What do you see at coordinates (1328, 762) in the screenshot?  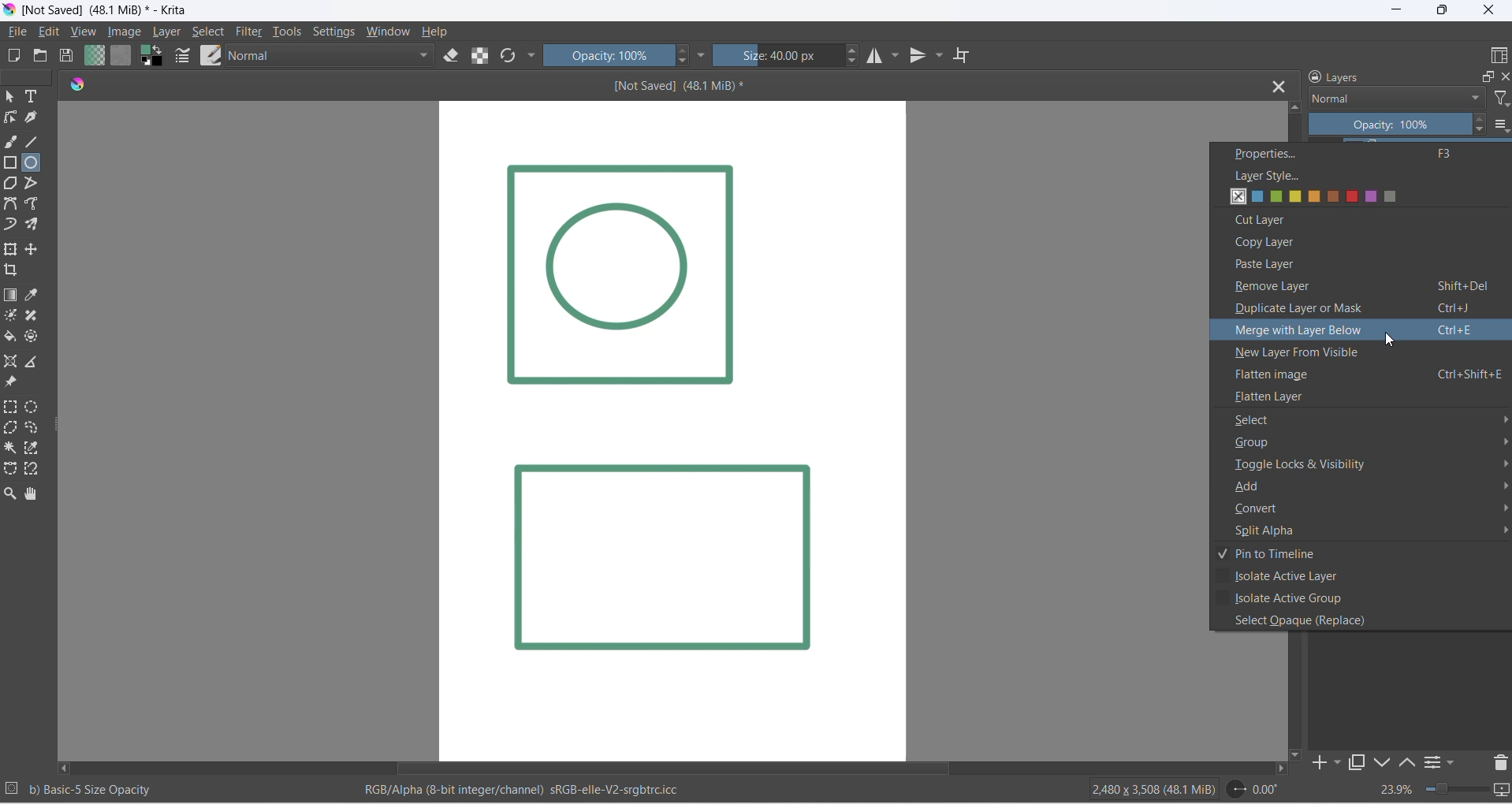 I see `add to side pane` at bounding box center [1328, 762].